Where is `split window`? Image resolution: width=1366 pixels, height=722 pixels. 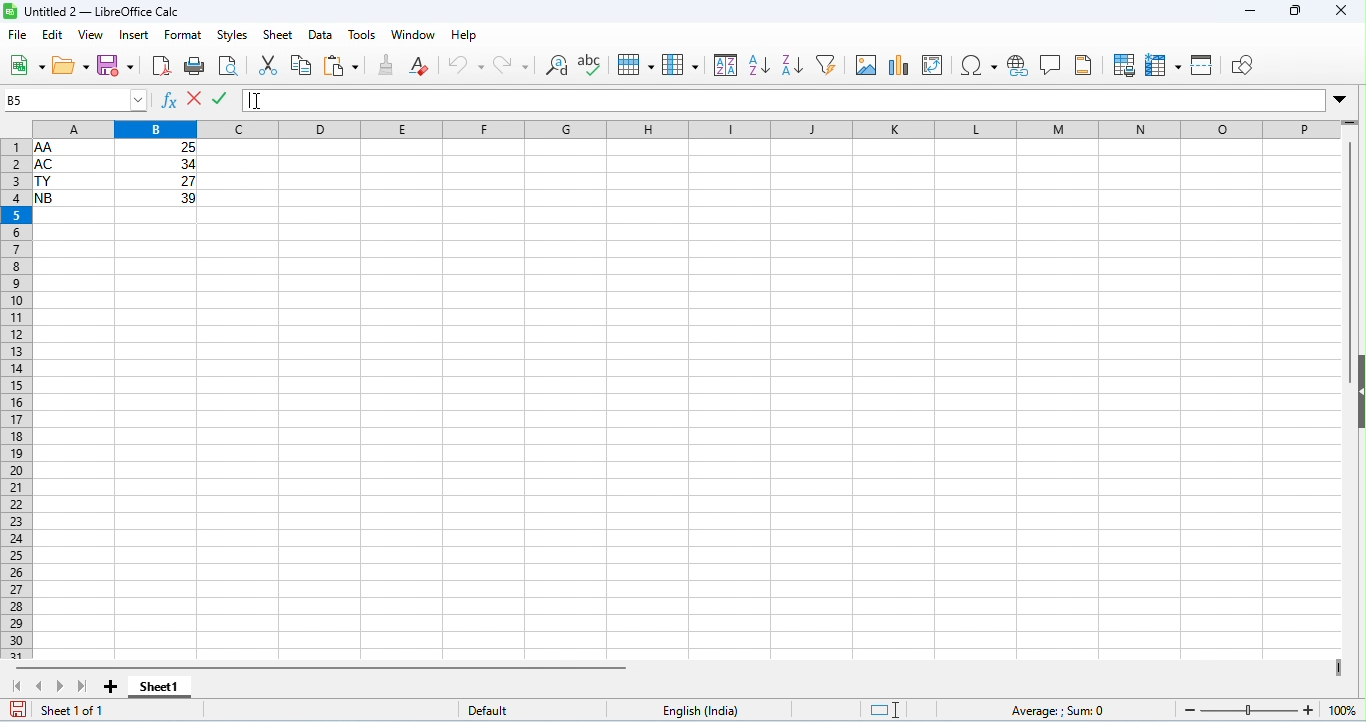 split window is located at coordinates (1204, 65).